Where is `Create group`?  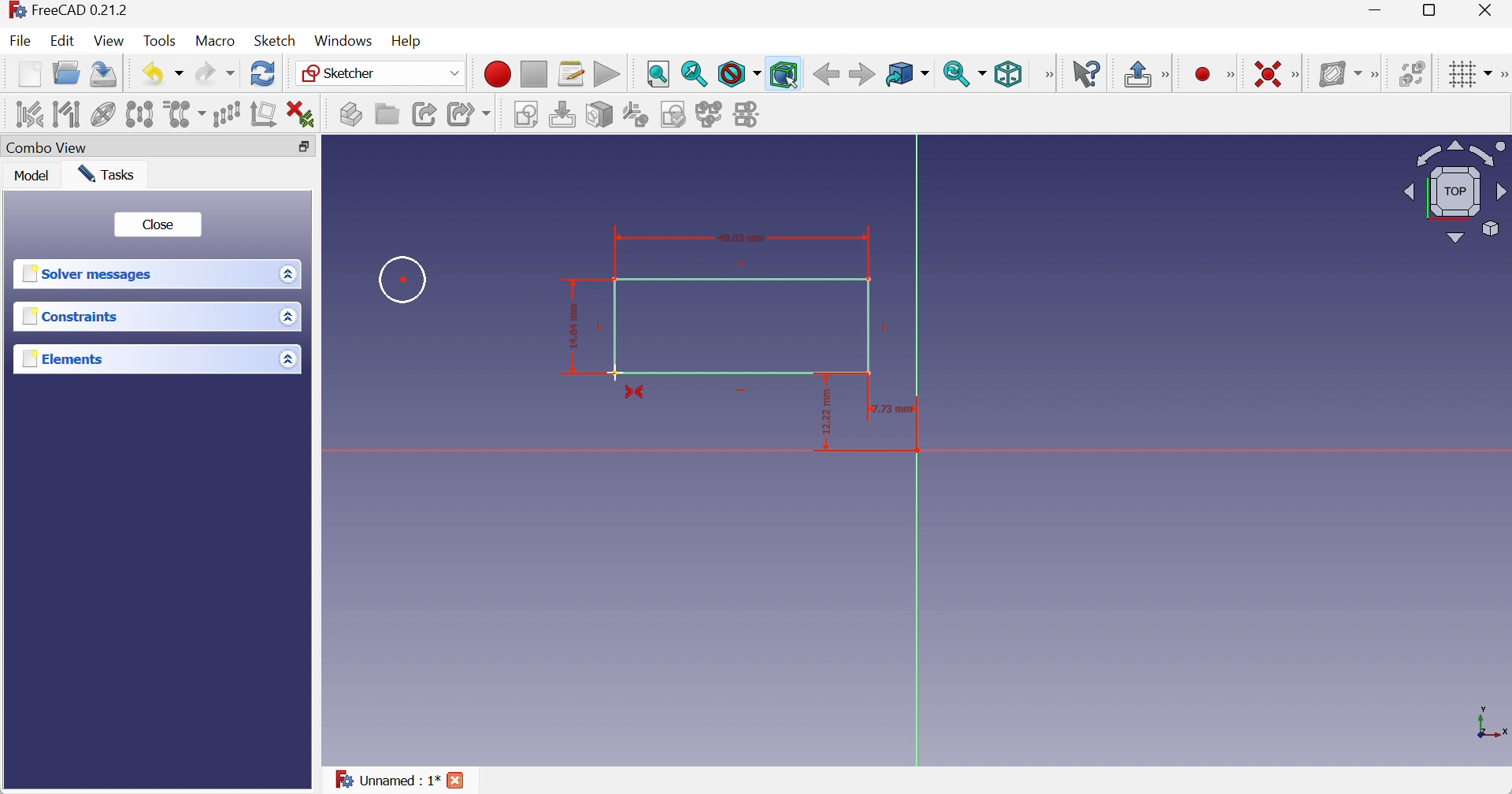
Create group is located at coordinates (386, 113).